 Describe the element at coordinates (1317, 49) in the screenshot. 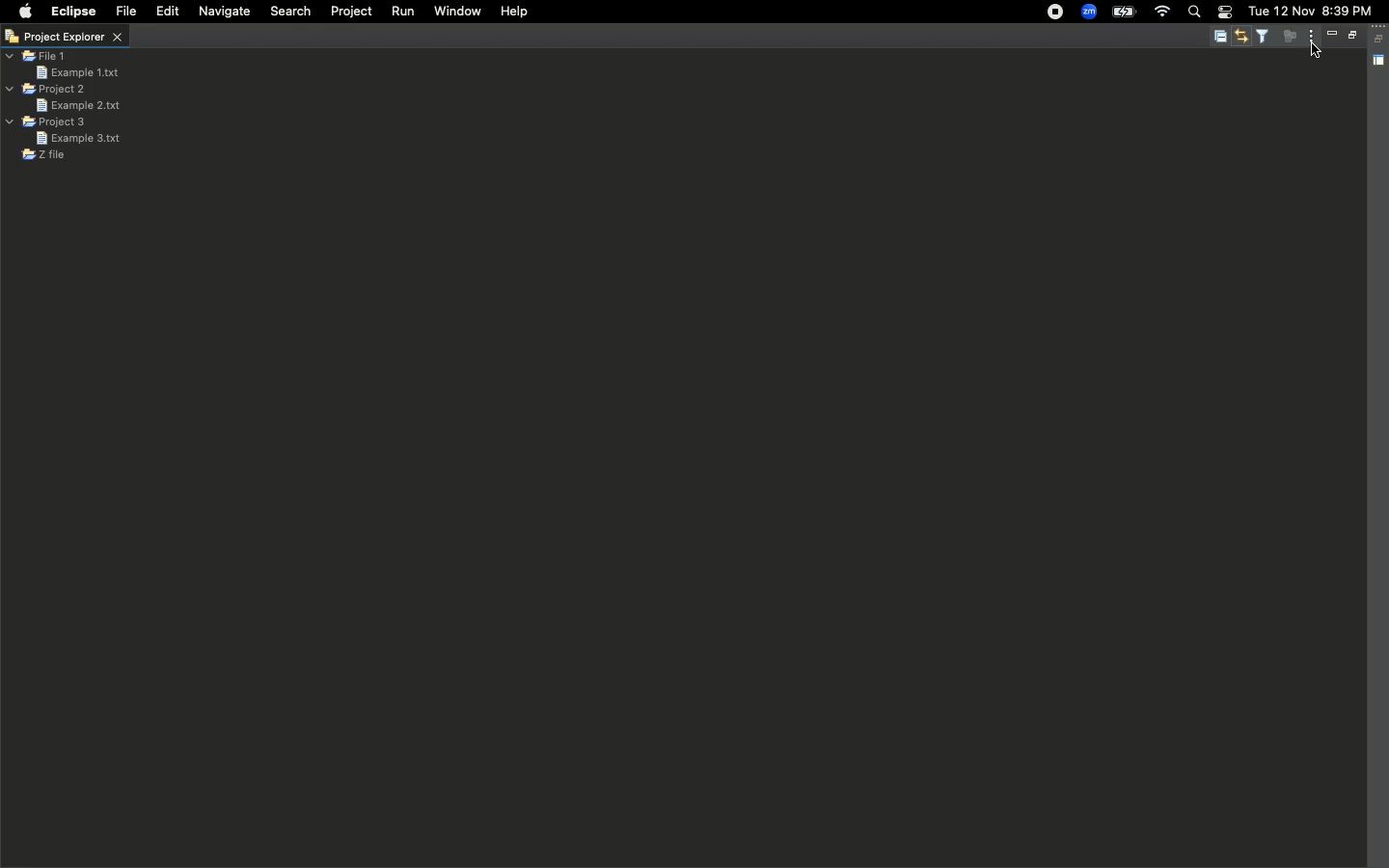

I see `cursor ` at that location.